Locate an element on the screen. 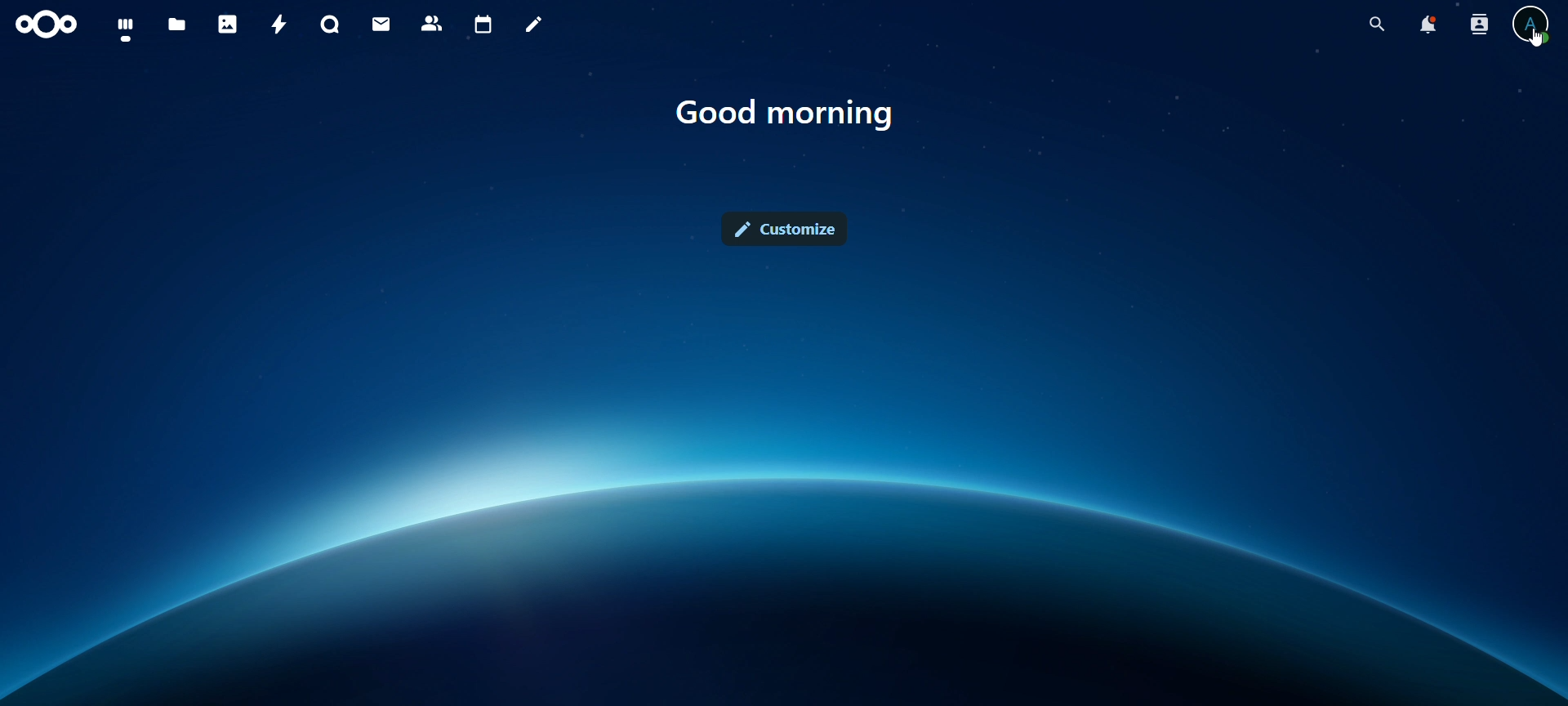 The width and height of the screenshot is (1568, 706). files is located at coordinates (177, 26).